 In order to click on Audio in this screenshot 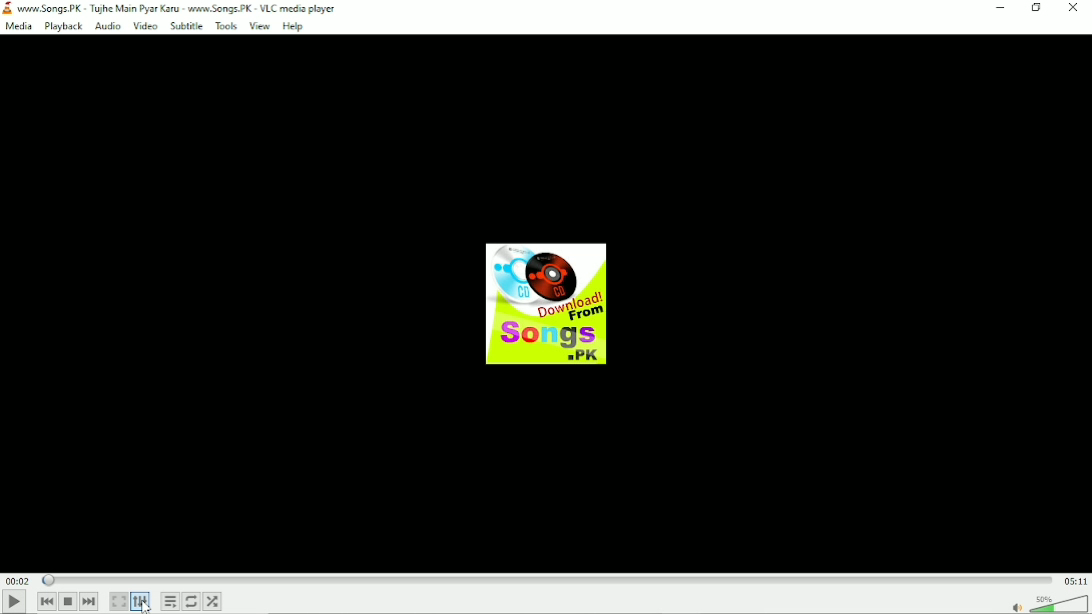, I will do `click(108, 27)`.